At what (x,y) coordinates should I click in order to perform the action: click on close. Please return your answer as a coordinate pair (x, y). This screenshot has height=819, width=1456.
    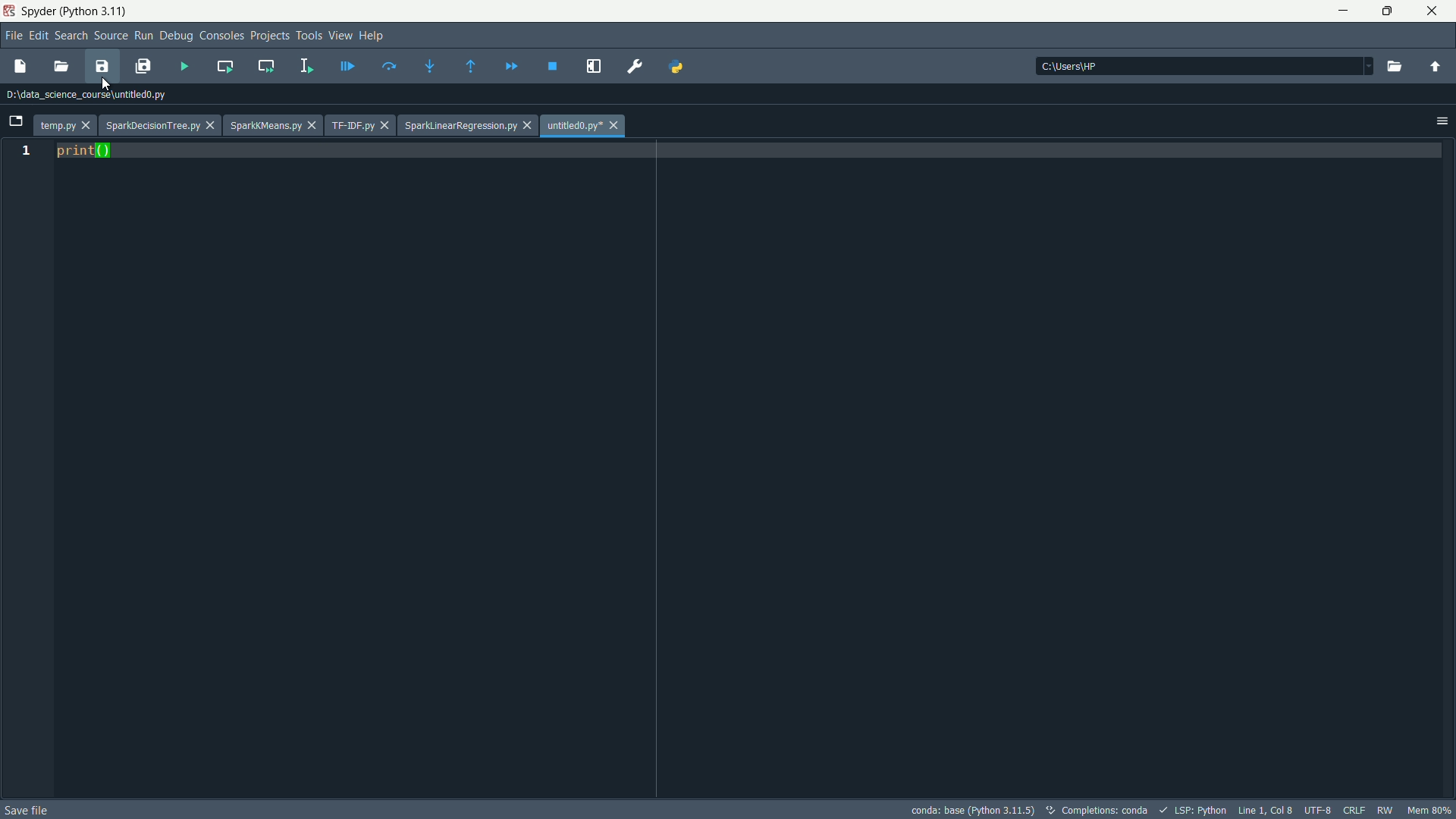
    Looking at the image, I should click on (89, 126).